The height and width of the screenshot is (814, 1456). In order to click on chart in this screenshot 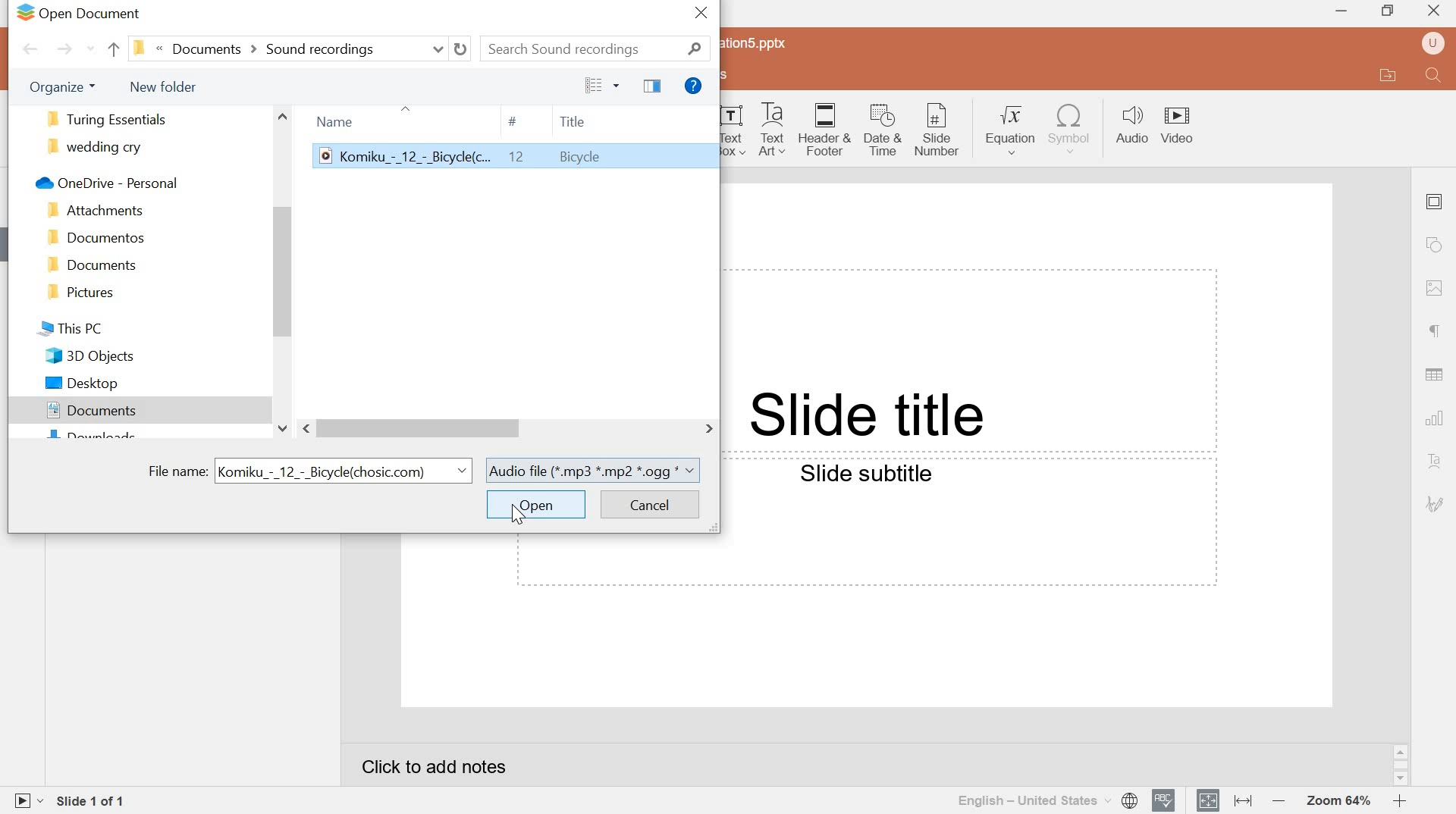, I will do `click(1436, 418)`.